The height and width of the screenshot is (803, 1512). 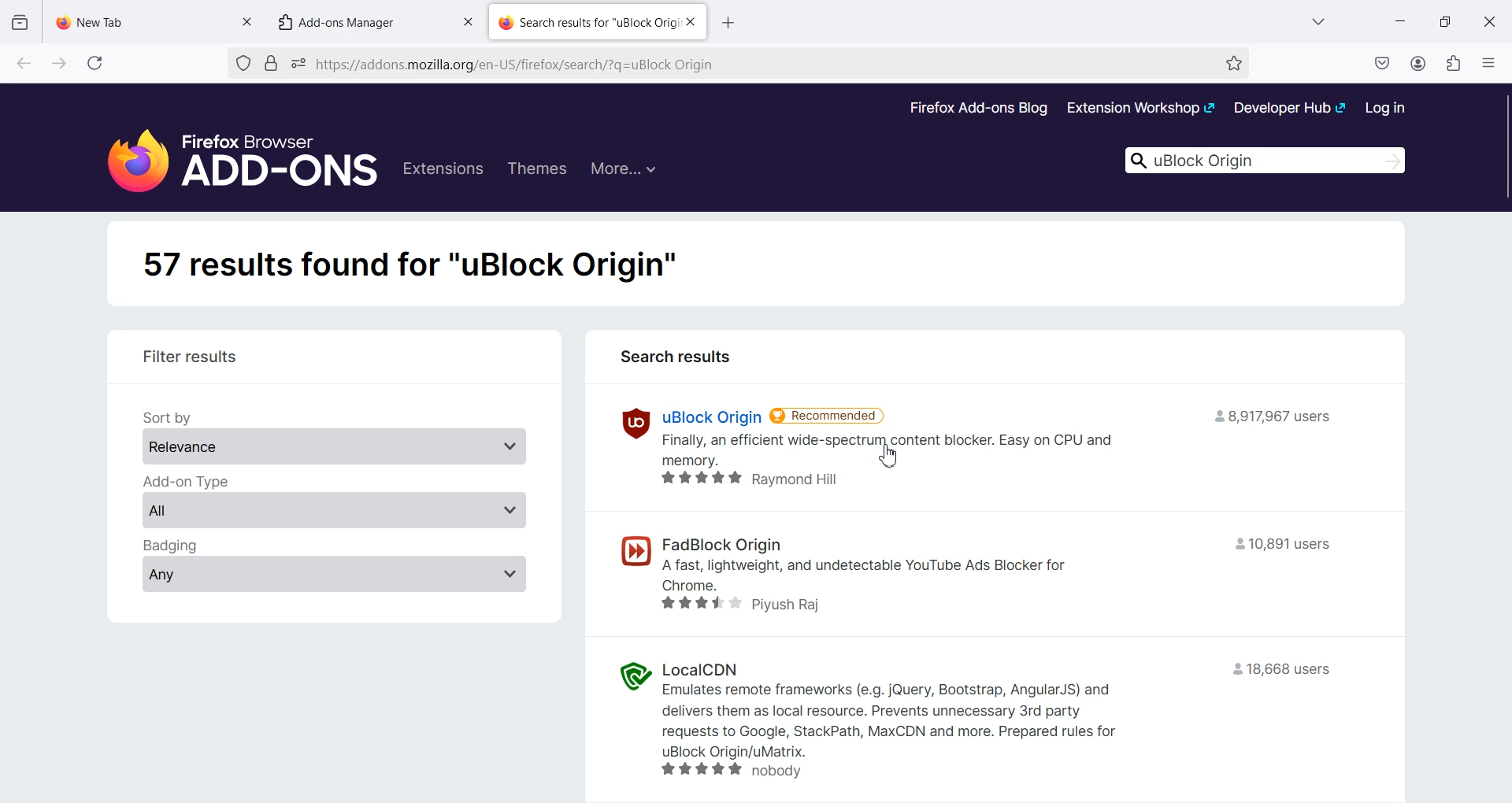 What do you see at coordinates (1233, 63) in the screenshot?
I see `Bookmark this page` at bounding box center [1233, 63].